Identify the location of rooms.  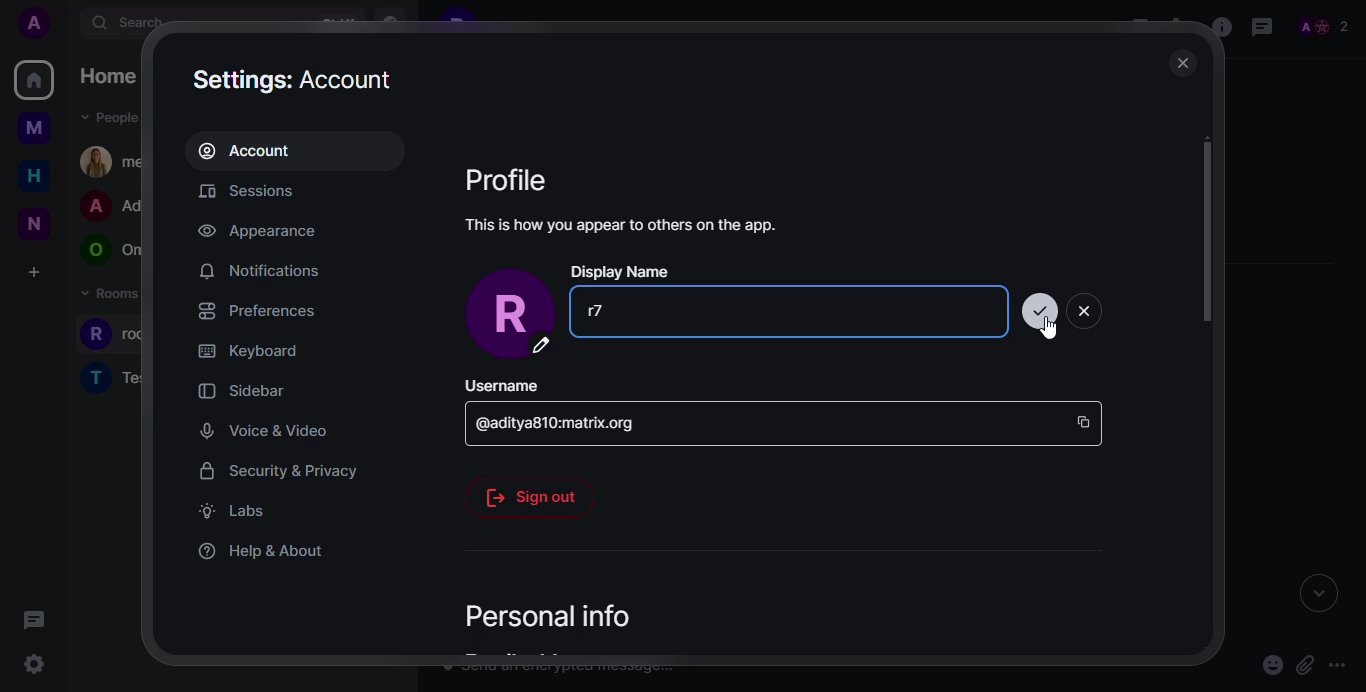
(116, 378).